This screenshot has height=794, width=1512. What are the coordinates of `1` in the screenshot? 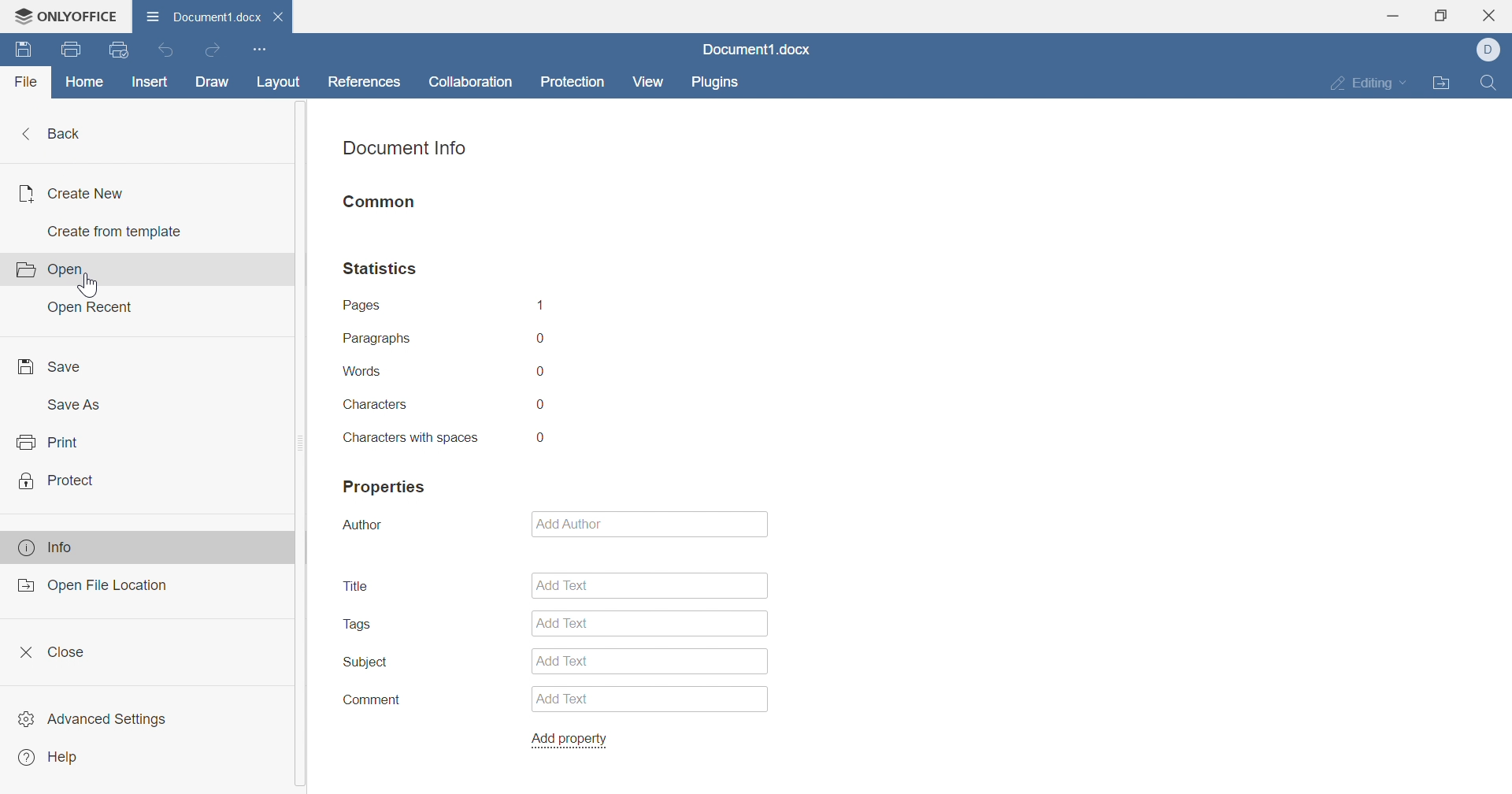 It's located at (543, 303).